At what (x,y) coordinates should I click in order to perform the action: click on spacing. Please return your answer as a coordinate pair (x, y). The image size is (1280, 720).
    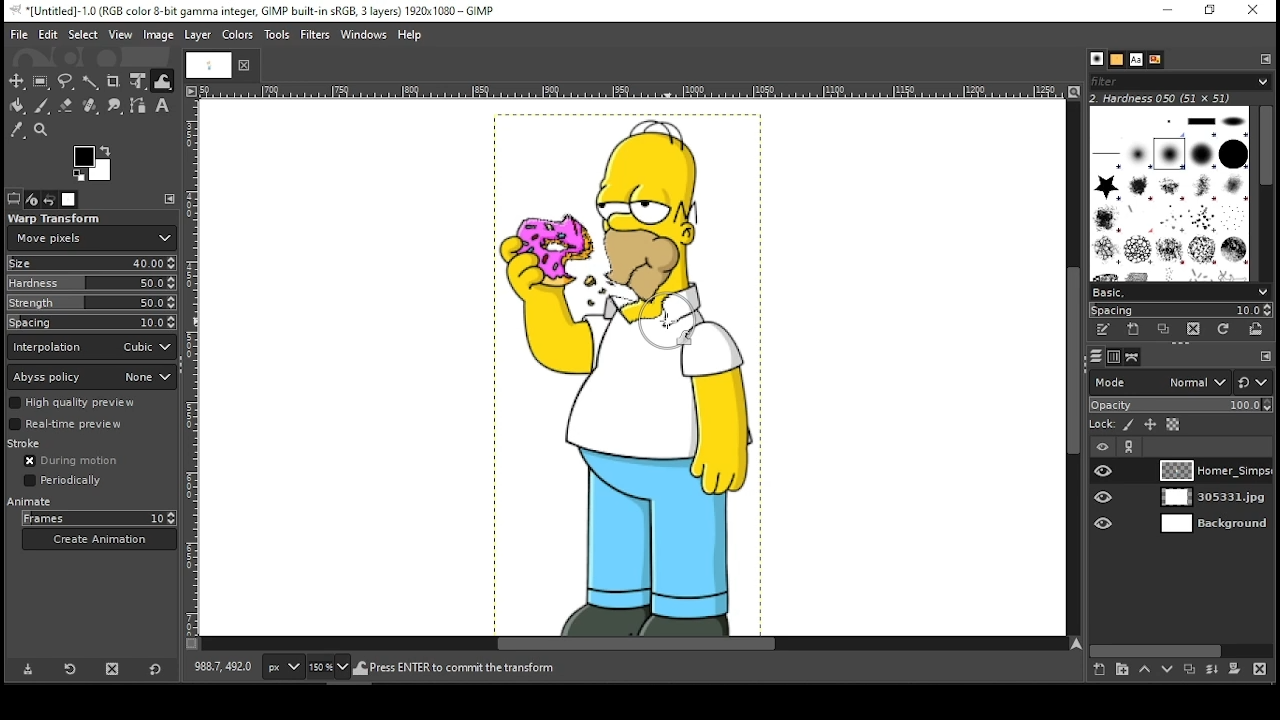
    Looking at the image, I should click on (1180, 310).